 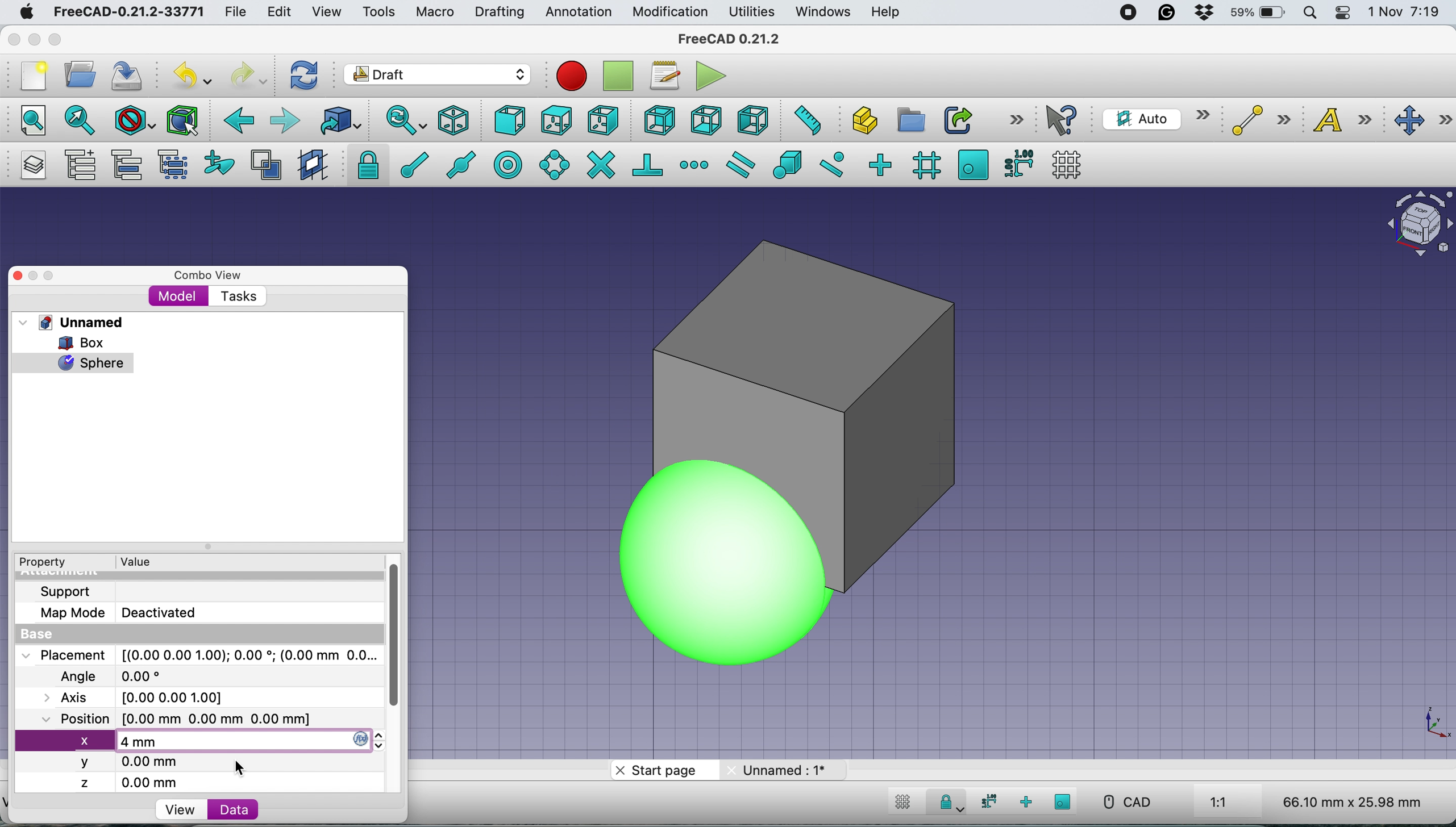 I want to click on new, so click(x=30, y=76).